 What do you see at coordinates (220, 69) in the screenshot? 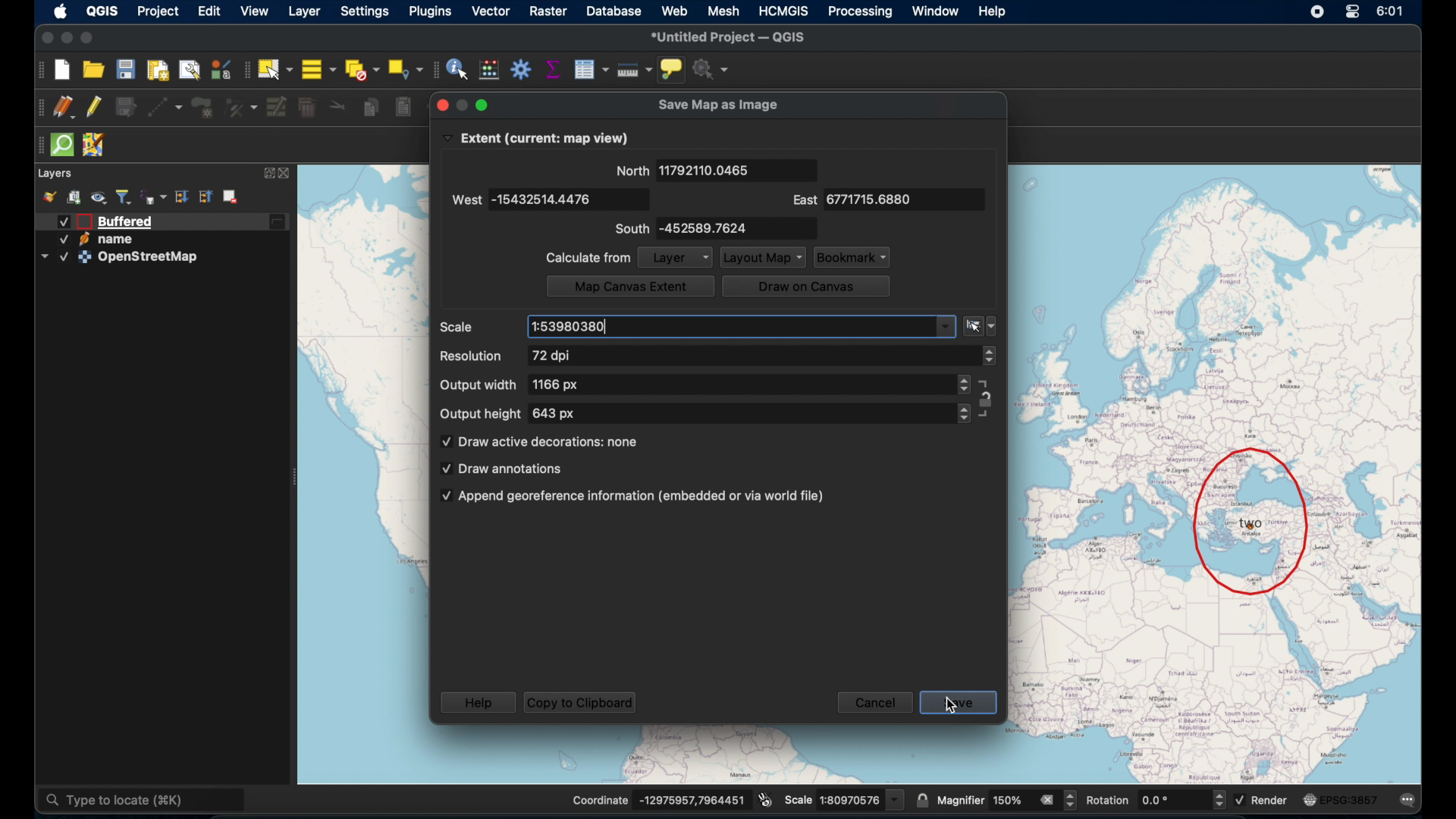
I see `style manager` at bounding box center [220, 69].